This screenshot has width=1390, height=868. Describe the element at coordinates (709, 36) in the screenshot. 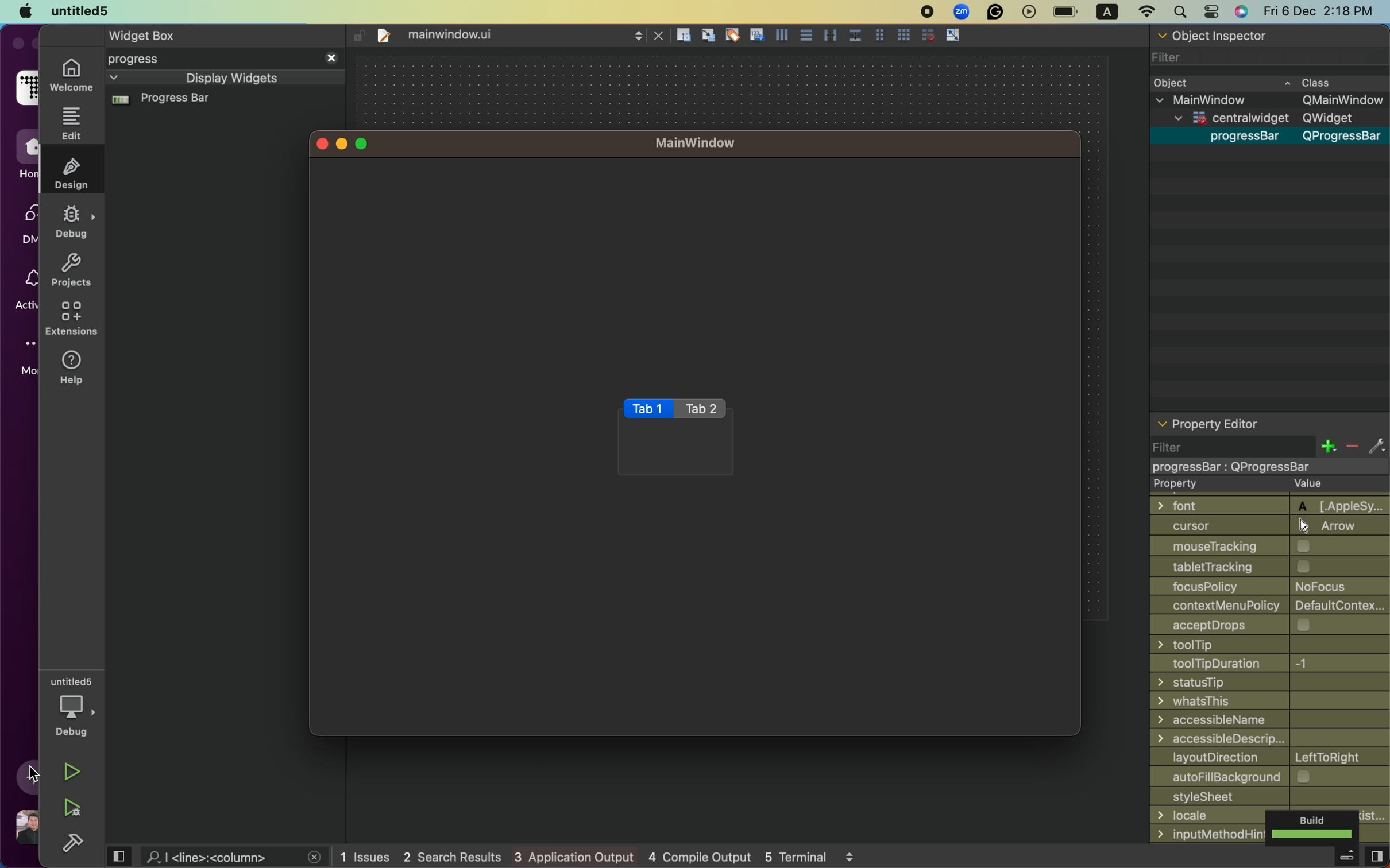

I see `align grid` at that location.